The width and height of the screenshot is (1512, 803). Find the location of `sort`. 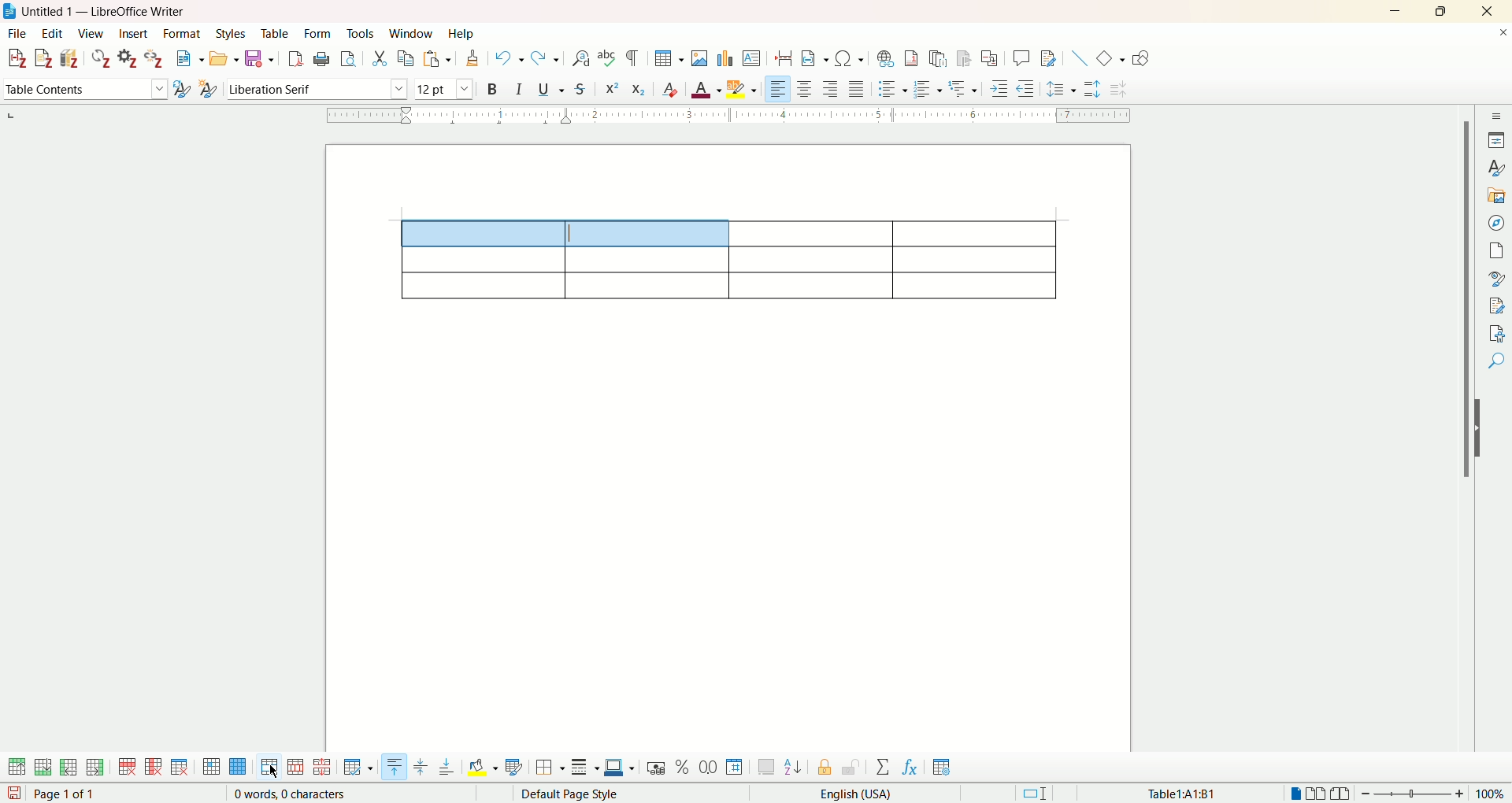

sort is located at coordinates (795, 766).